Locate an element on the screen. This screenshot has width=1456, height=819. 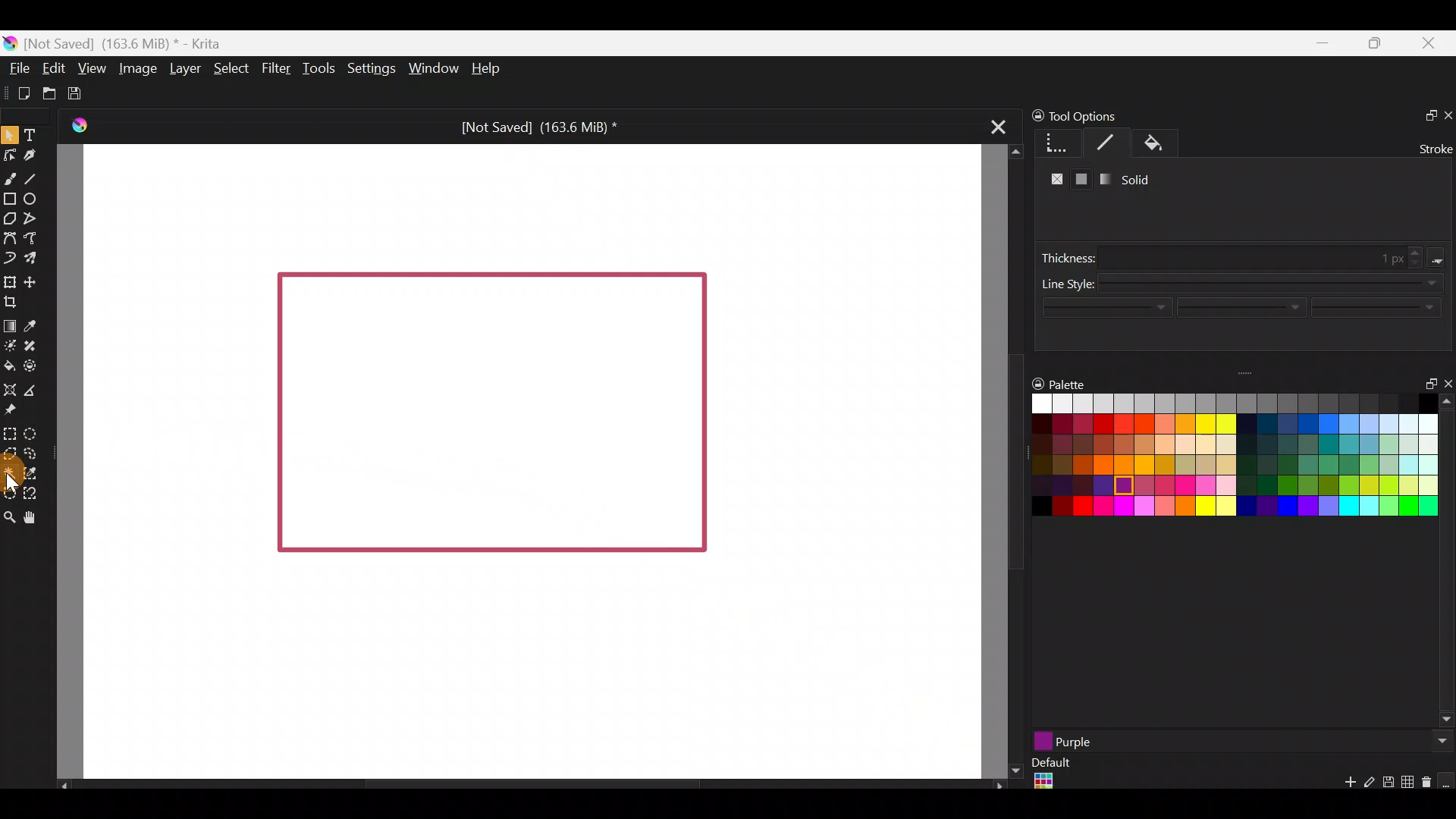
Bezier curve tool is located at coordinates (9, 236).